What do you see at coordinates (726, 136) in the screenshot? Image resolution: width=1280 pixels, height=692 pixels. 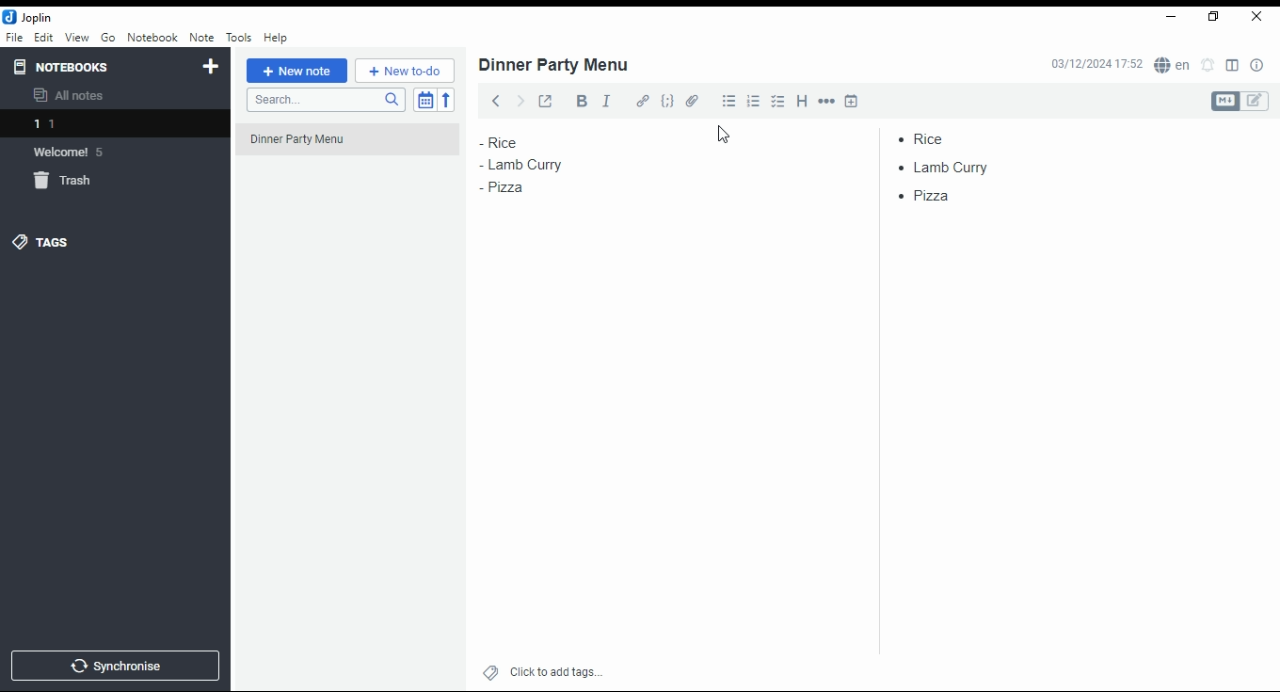 I see `cursor` at bounding box center [726, 136].